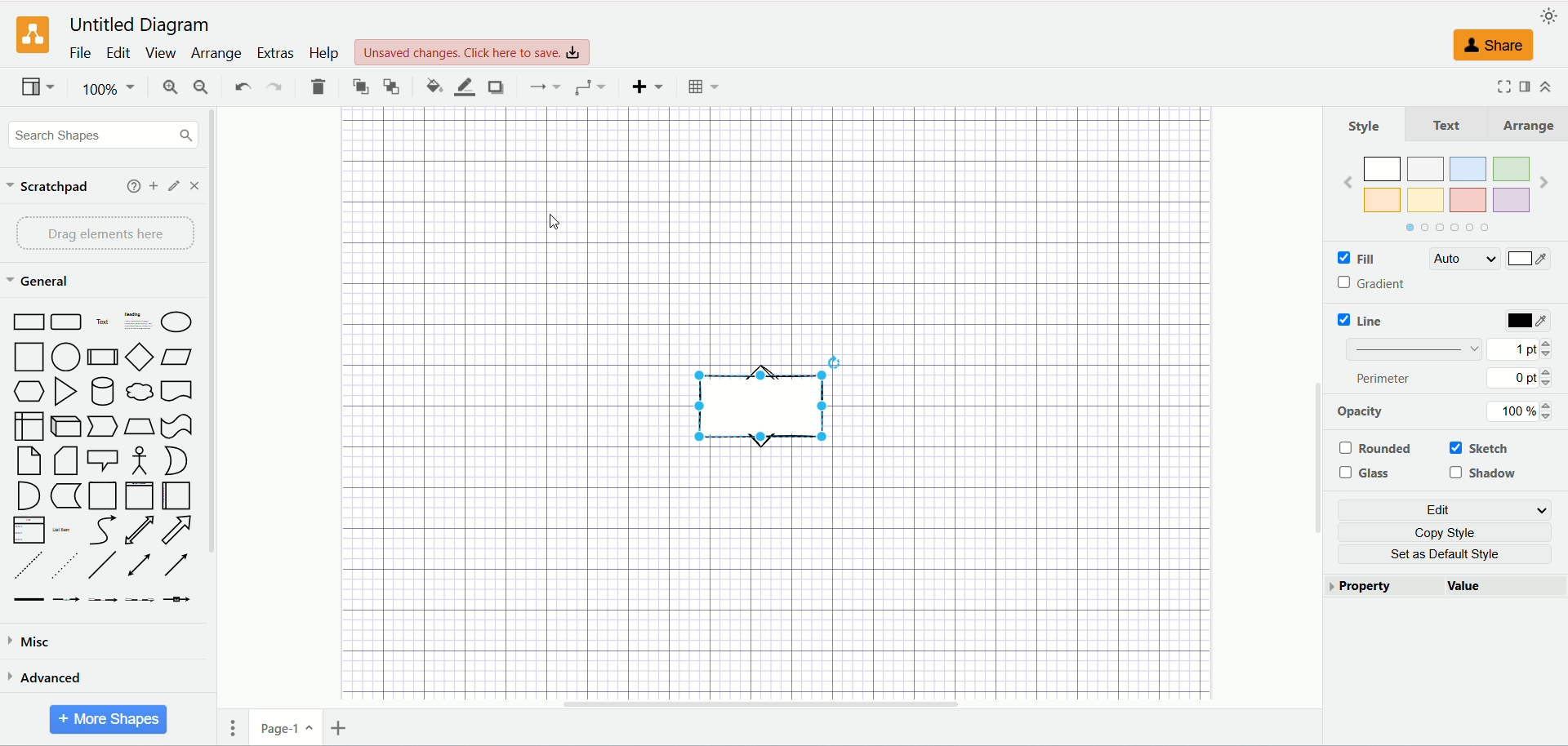  I want to click on edit, so click(173, 186).